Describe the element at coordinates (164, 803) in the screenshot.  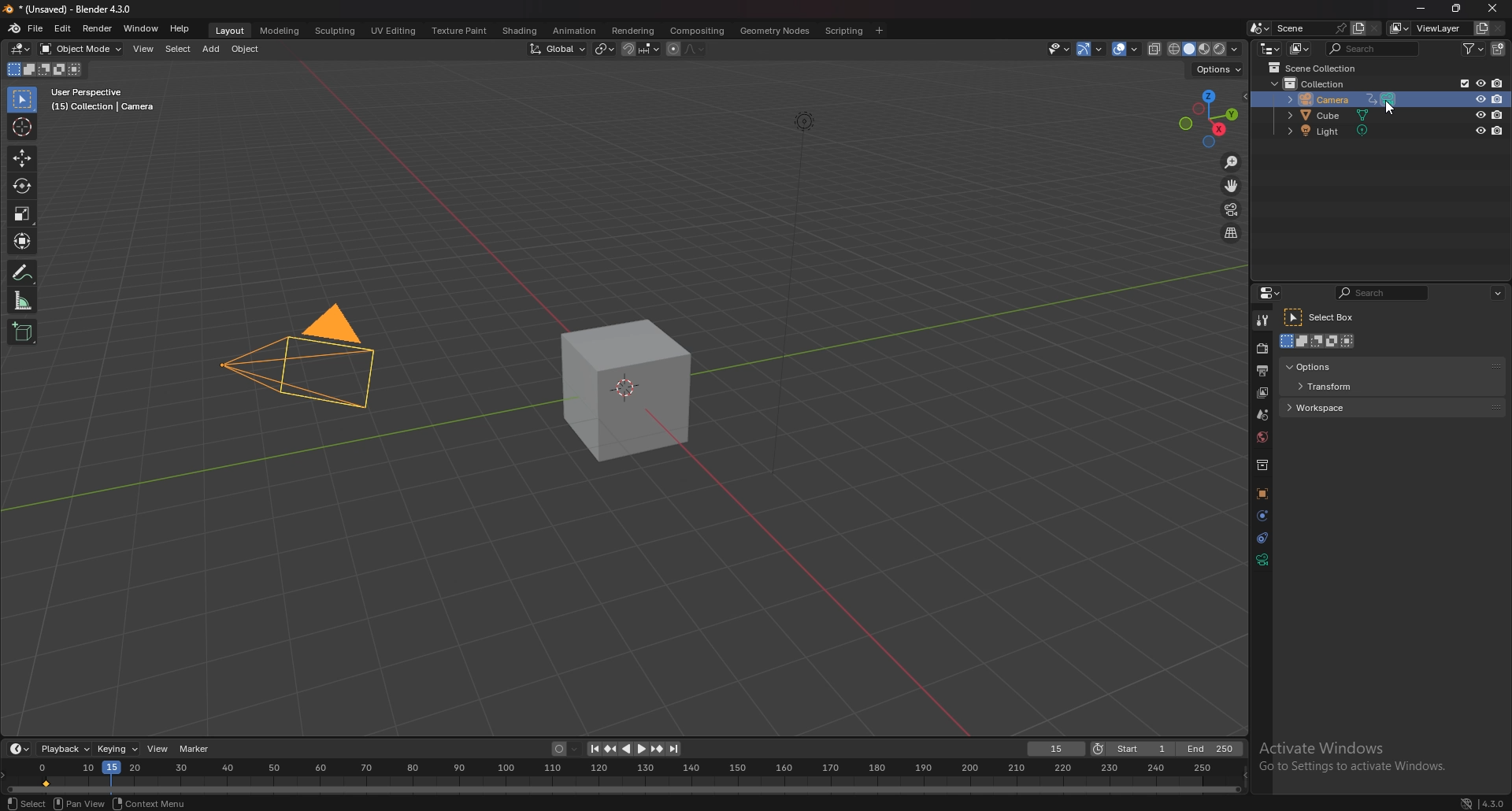
I see `object` at that location.